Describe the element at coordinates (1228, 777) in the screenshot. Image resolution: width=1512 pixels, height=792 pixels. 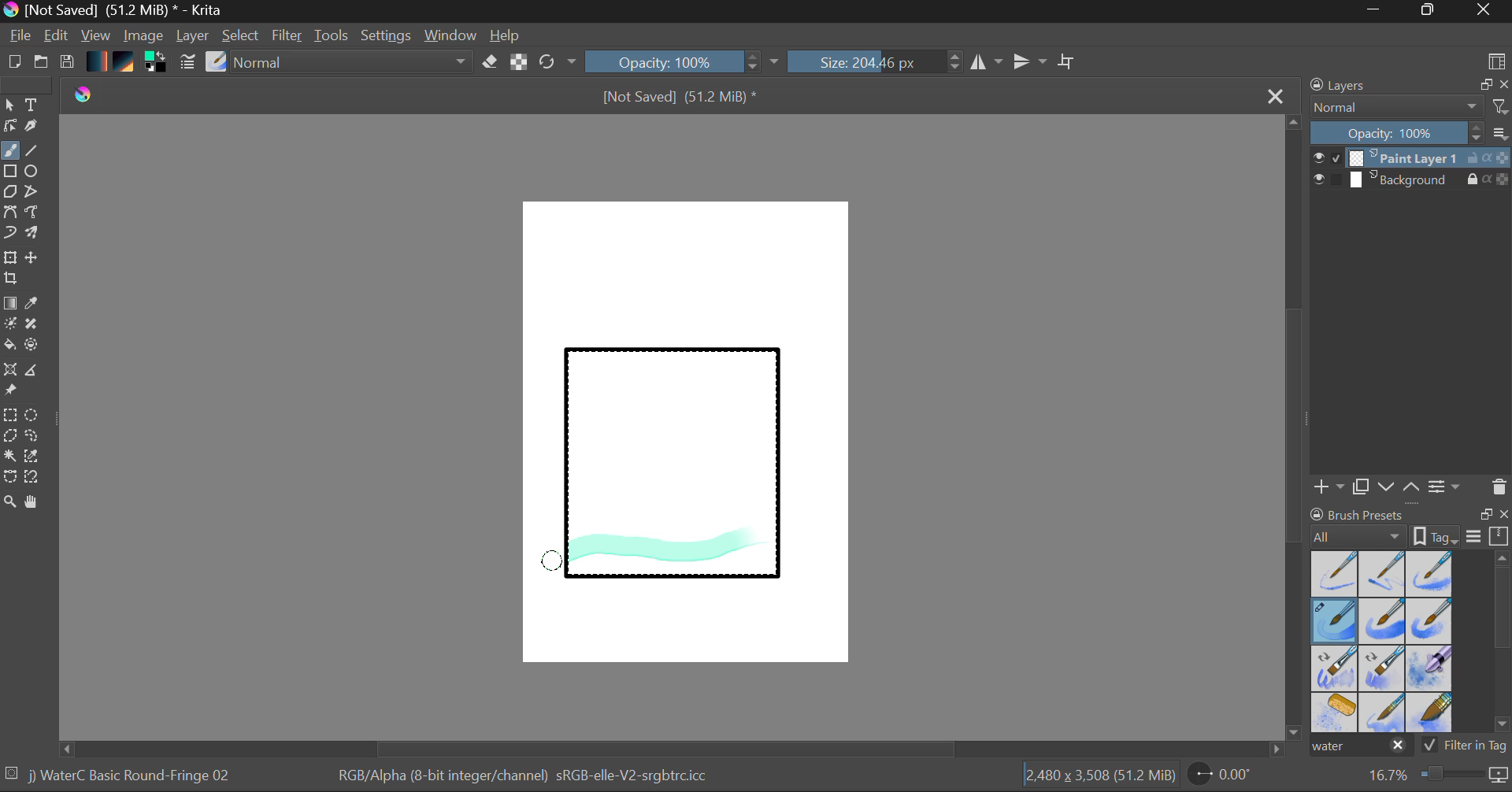
I see `Page Rotation` at that location.